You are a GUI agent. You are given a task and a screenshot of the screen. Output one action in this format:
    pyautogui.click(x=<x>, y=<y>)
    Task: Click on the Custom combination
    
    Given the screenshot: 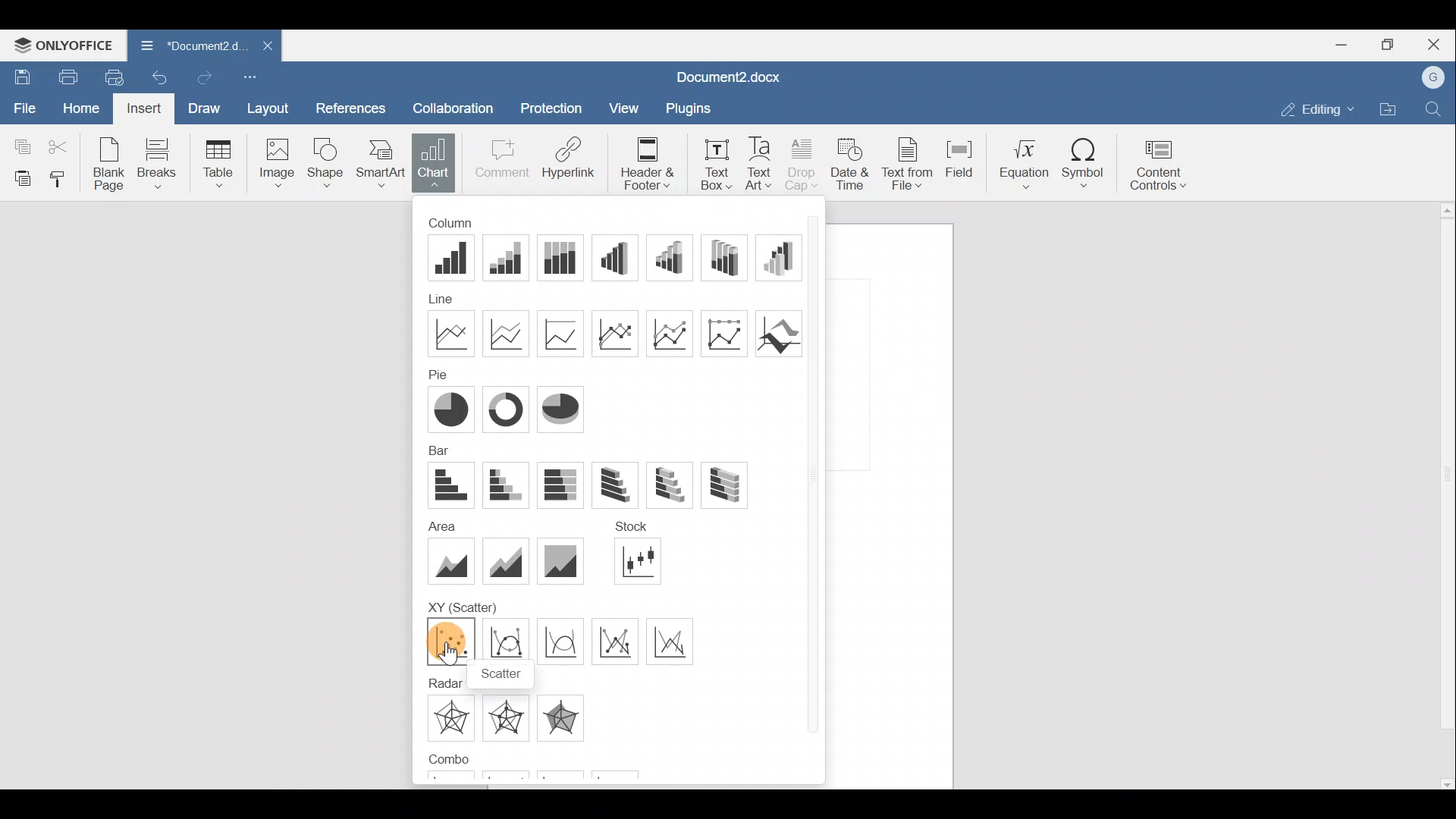 What is the action you would take?
    pyautogui.click(x=634, y=777)
    